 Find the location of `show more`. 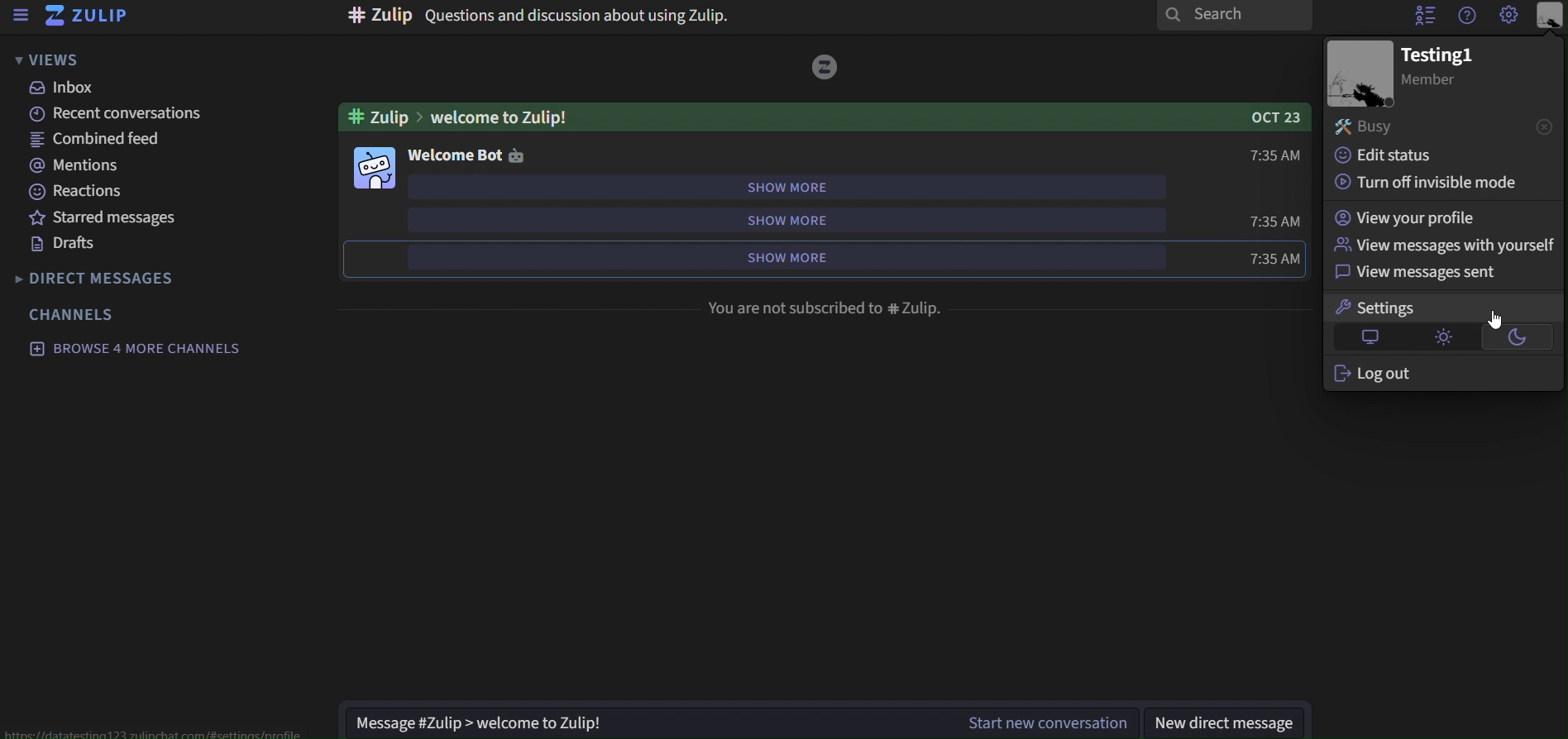

show more is located at coordinates (777, 187).